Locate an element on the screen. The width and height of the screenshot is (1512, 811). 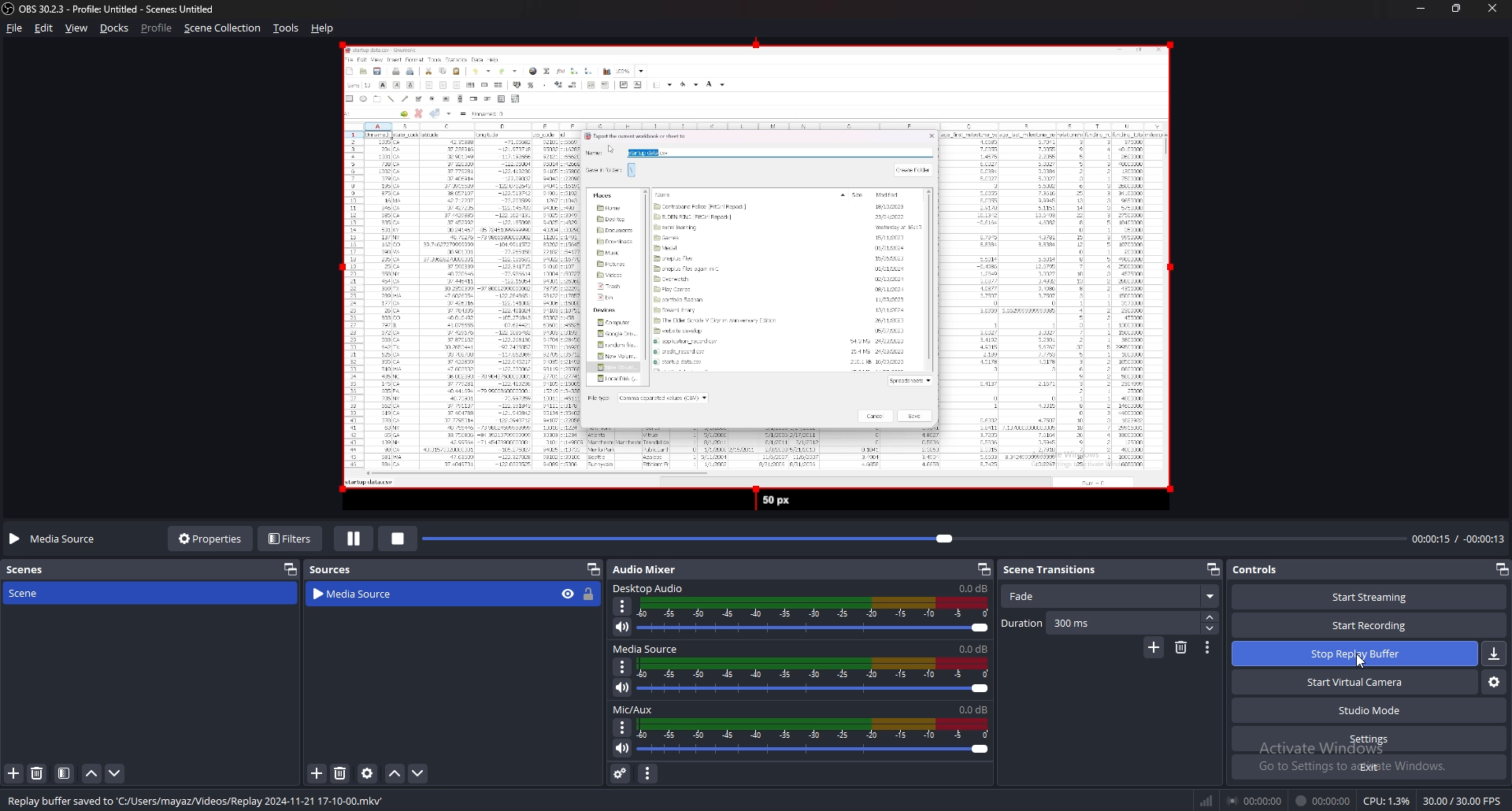
00:00:00 is located at coordinates (1254, 800).